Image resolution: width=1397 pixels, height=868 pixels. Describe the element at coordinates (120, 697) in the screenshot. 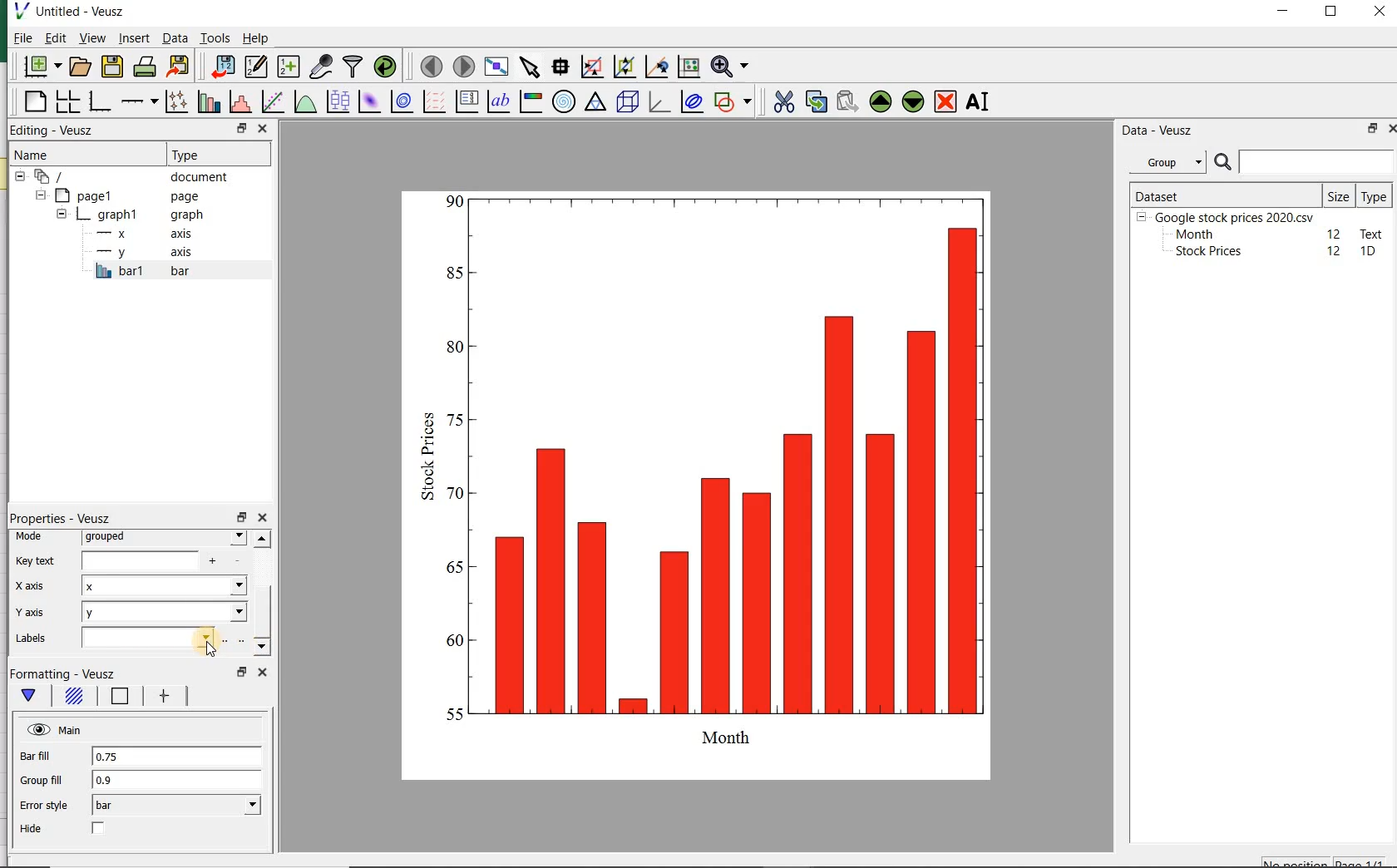

I see `Line` at that location.